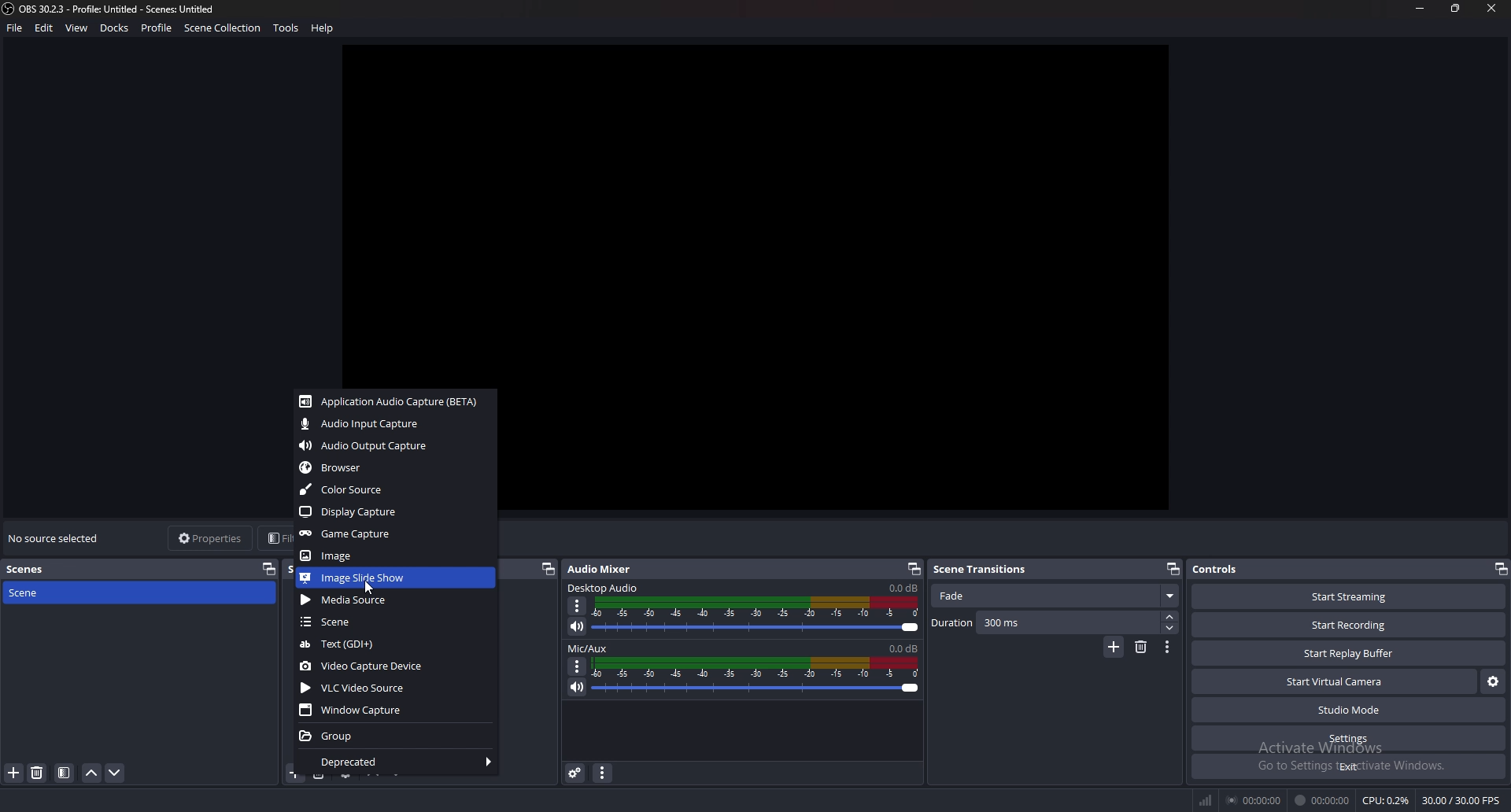  I want to click on scene collection, so click(225, 28).